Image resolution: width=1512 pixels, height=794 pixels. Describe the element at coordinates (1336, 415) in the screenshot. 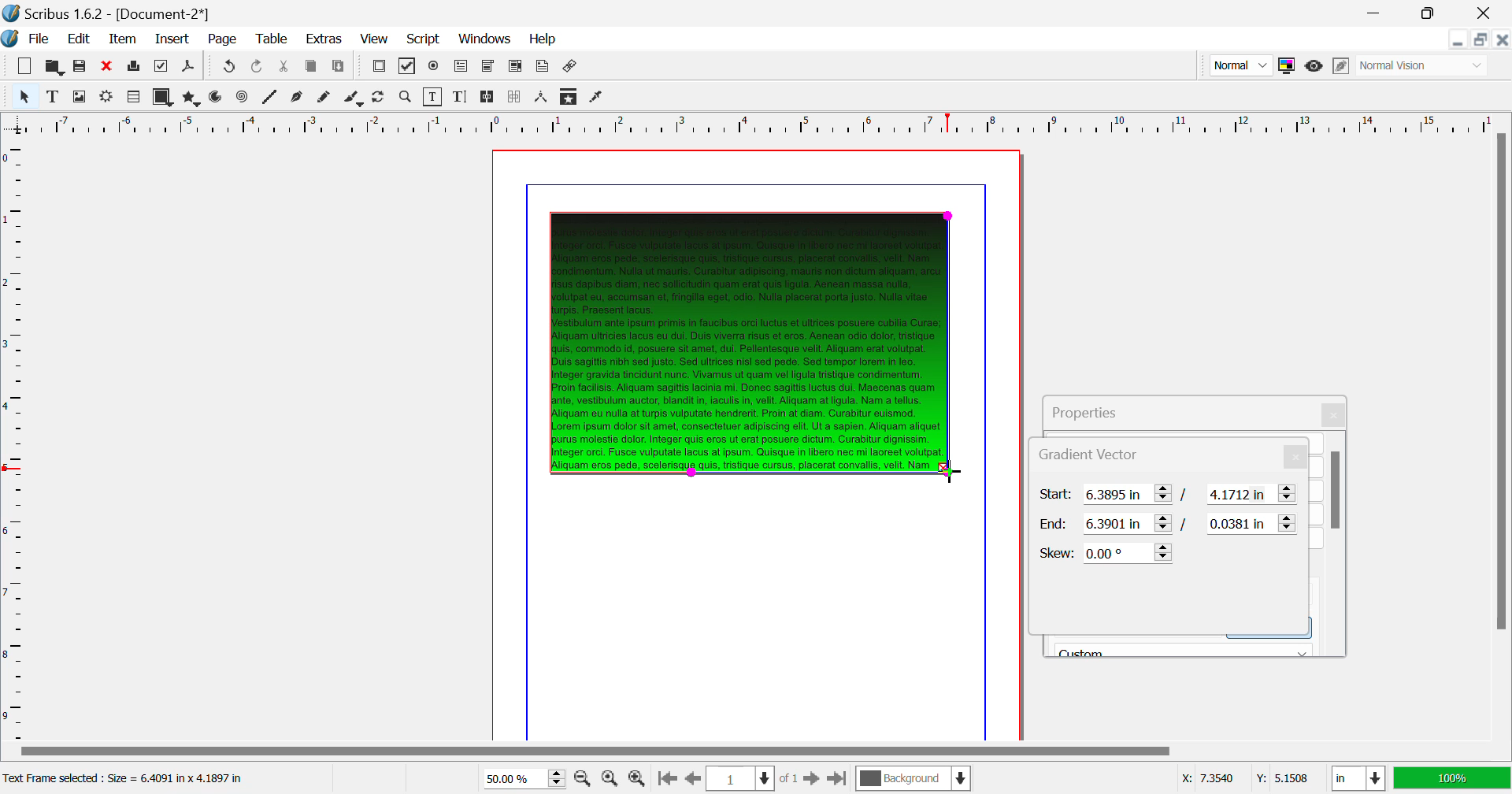

I see `Close` at that location.